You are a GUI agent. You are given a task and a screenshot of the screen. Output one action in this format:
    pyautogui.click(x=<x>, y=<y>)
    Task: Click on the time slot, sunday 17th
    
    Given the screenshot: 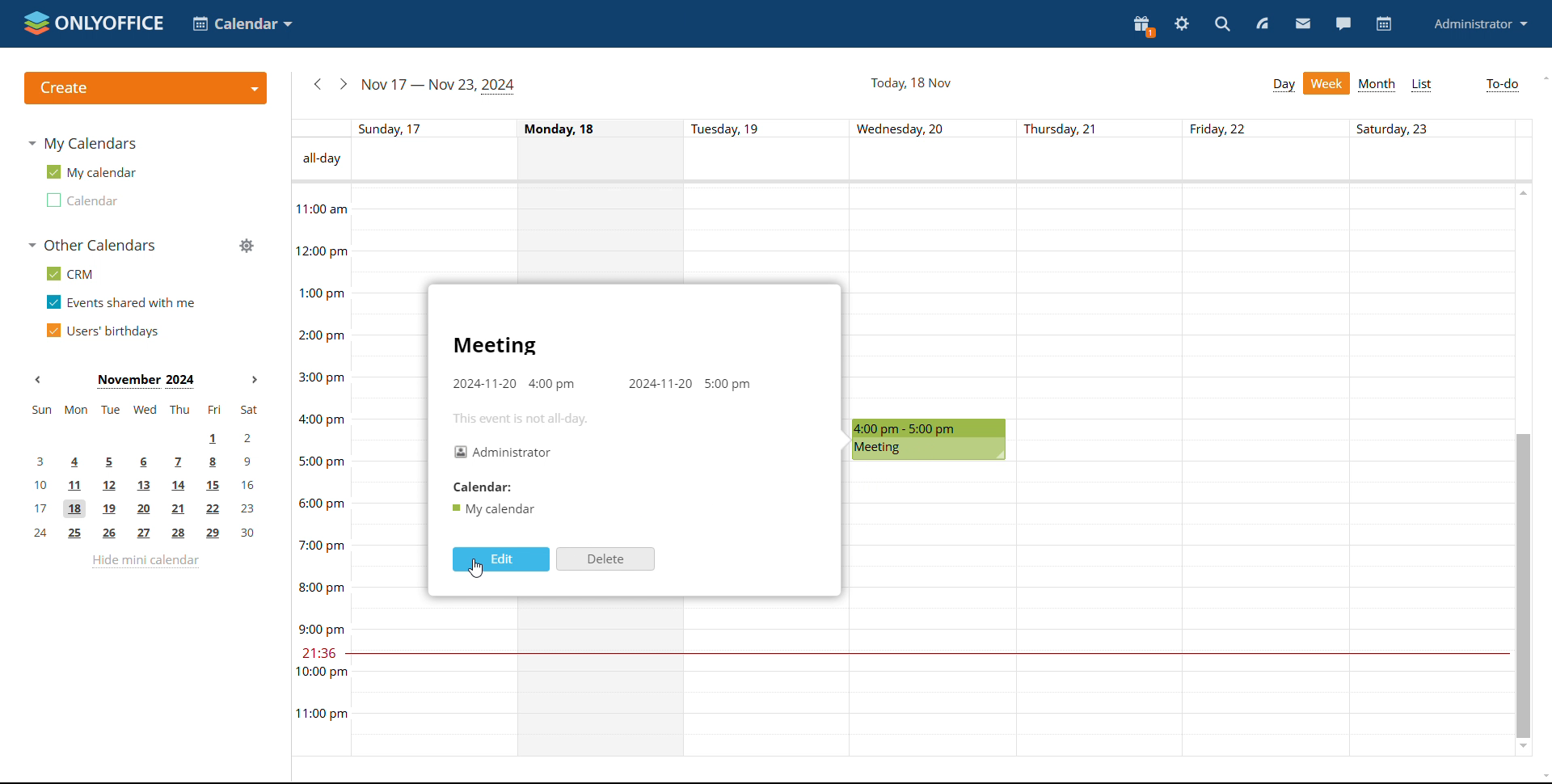 What is the action you would take?
    pyautogui.click(x=470, y=233)
    